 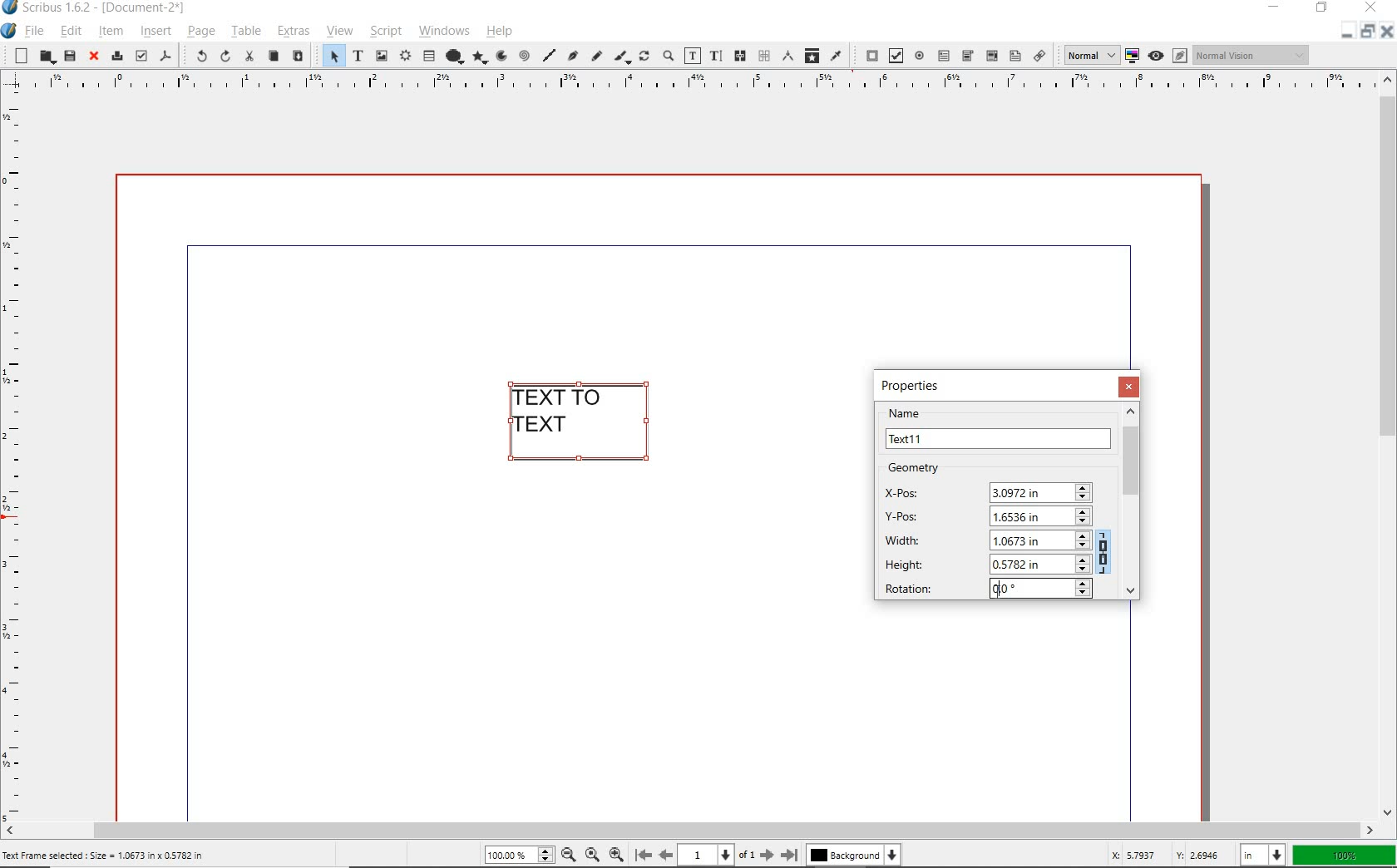 I want to click on ruler, so click(x=17, y=461).